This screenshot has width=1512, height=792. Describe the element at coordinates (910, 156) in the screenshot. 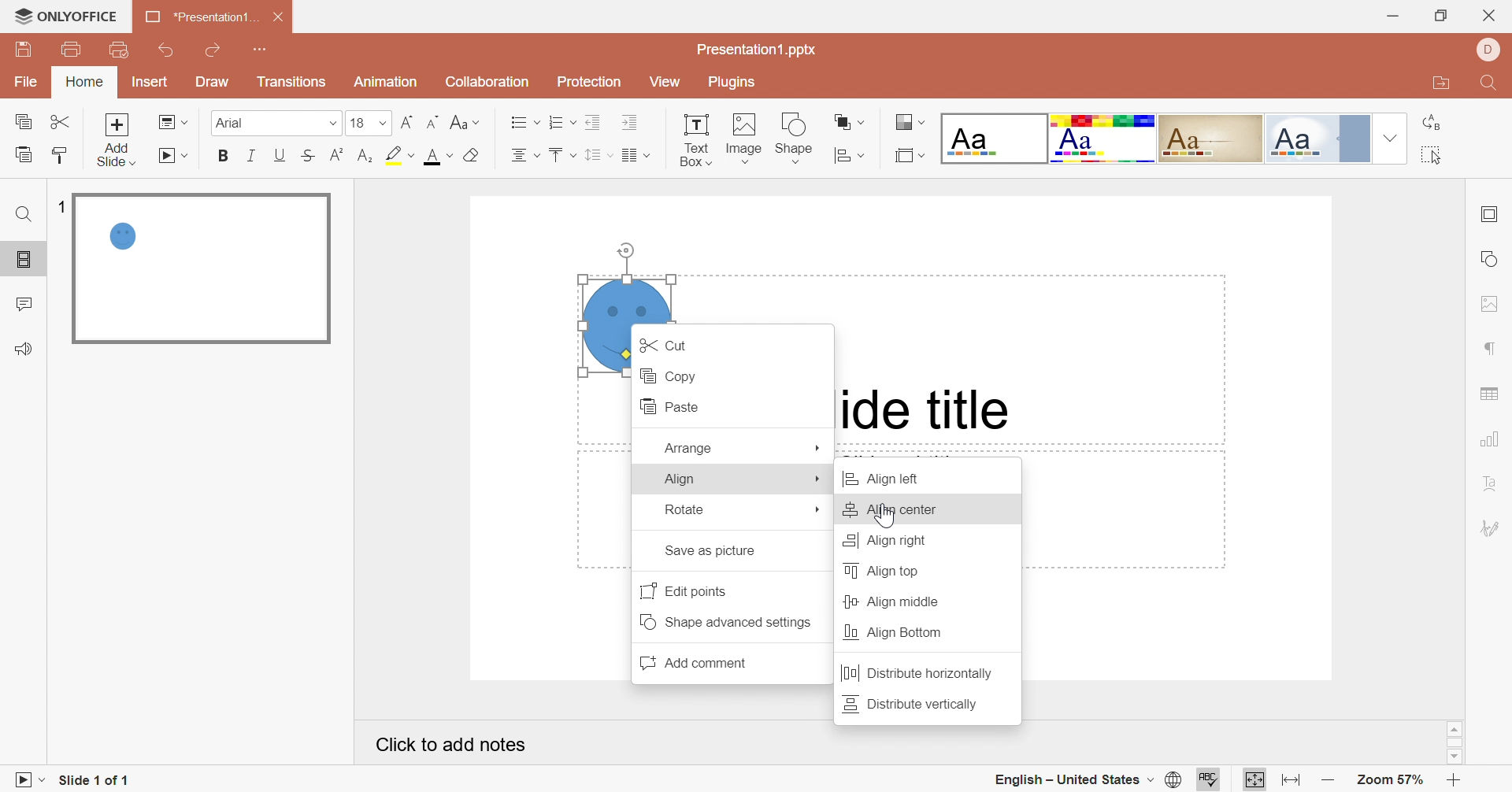

I see `Select slide size` at that location.